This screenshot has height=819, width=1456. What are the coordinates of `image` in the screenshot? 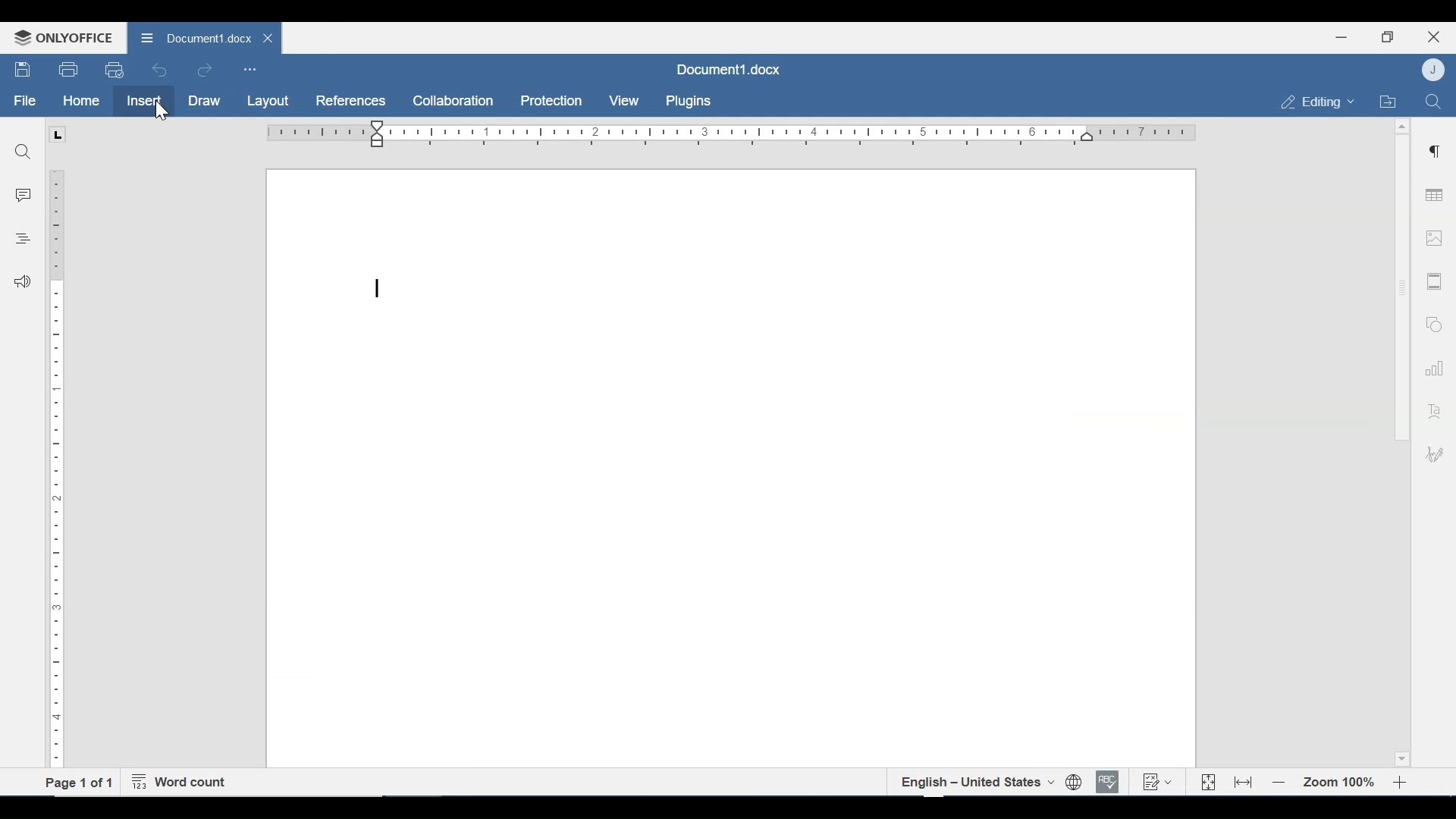 It's located at (1434, 237).